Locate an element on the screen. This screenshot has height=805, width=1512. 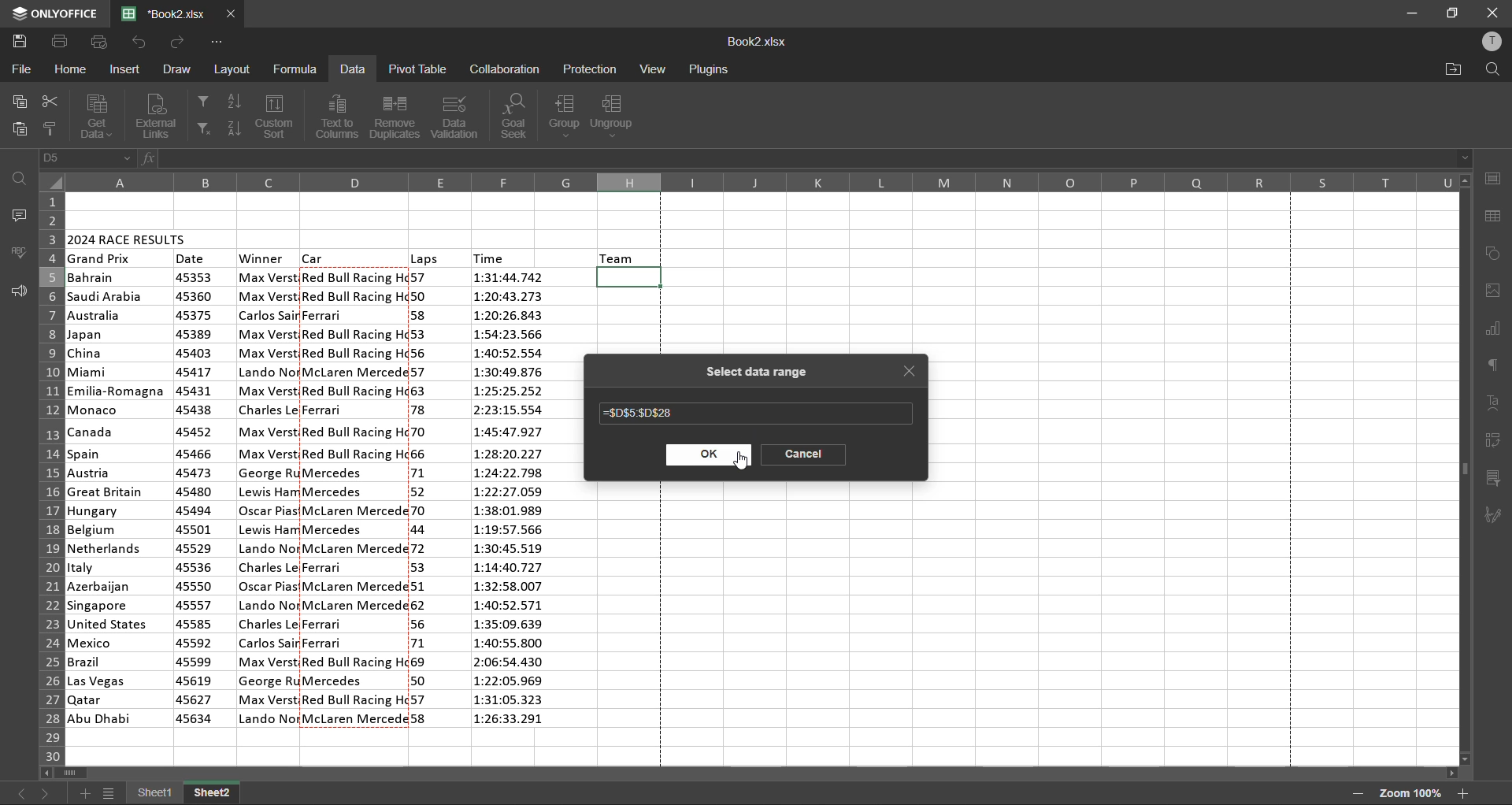
zoom out is located at coordinates (1356, 794).